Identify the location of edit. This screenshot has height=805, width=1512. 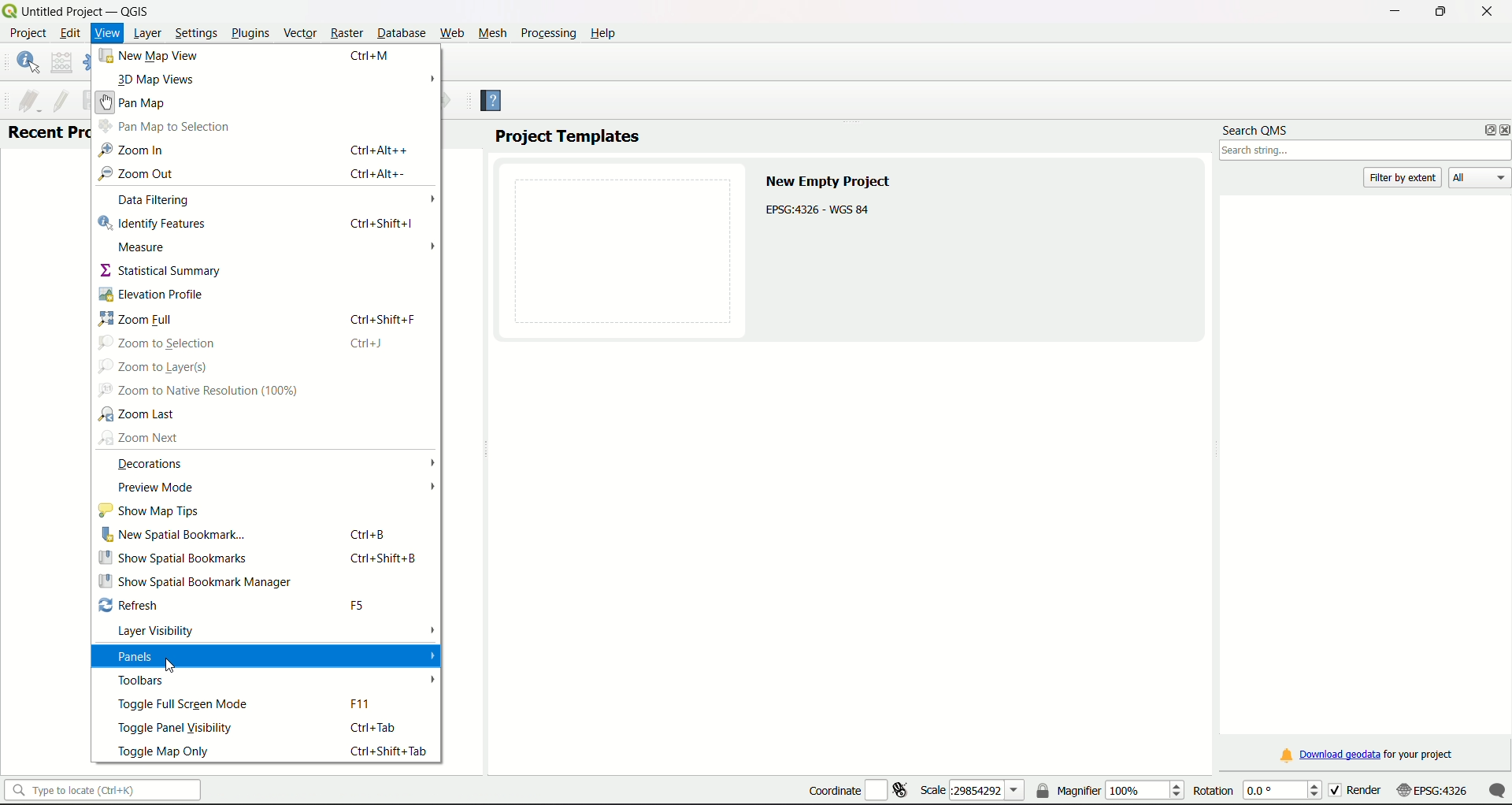
(70, 32).